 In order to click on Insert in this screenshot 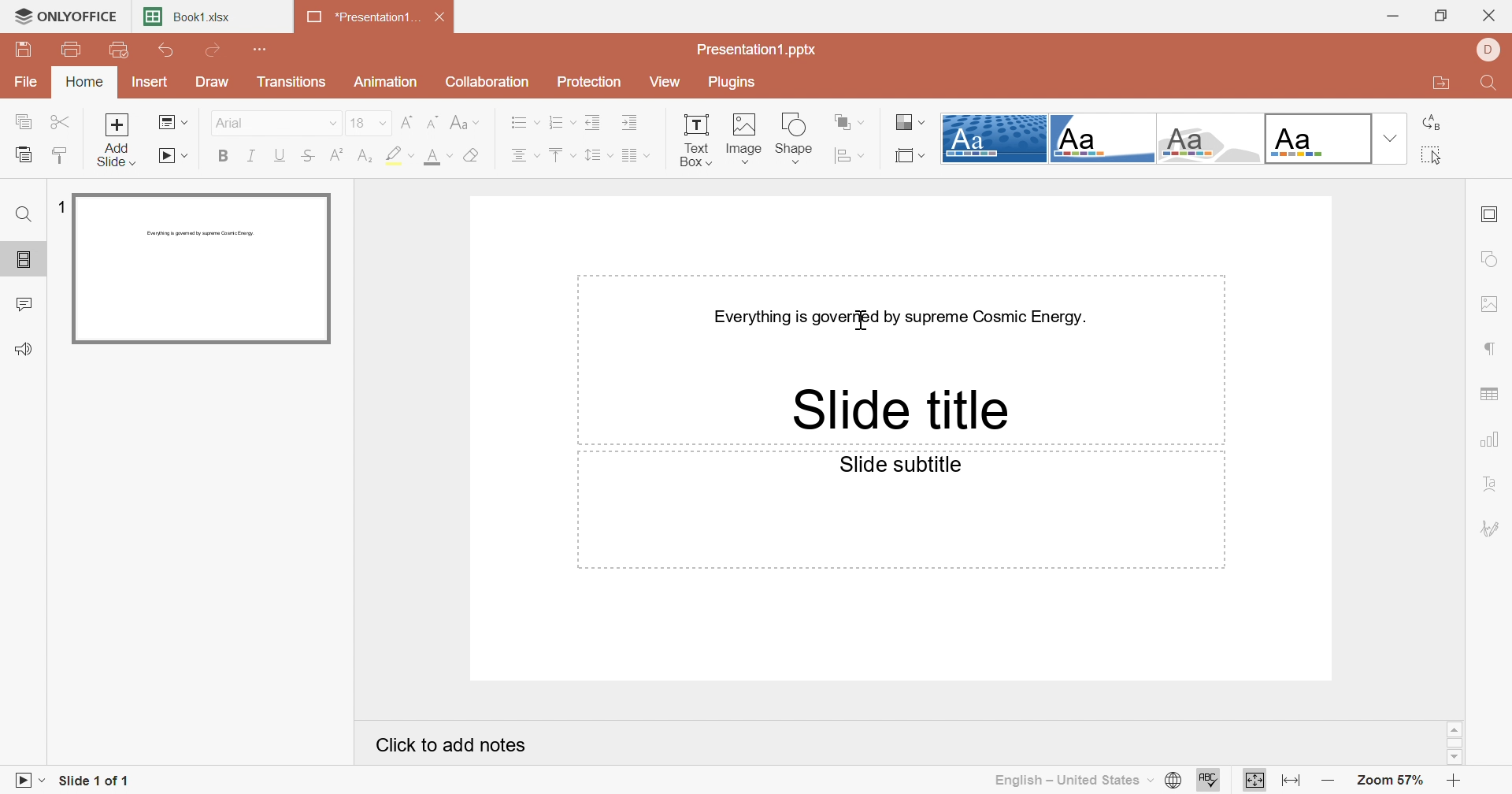, I will do `click(149, 80)`.